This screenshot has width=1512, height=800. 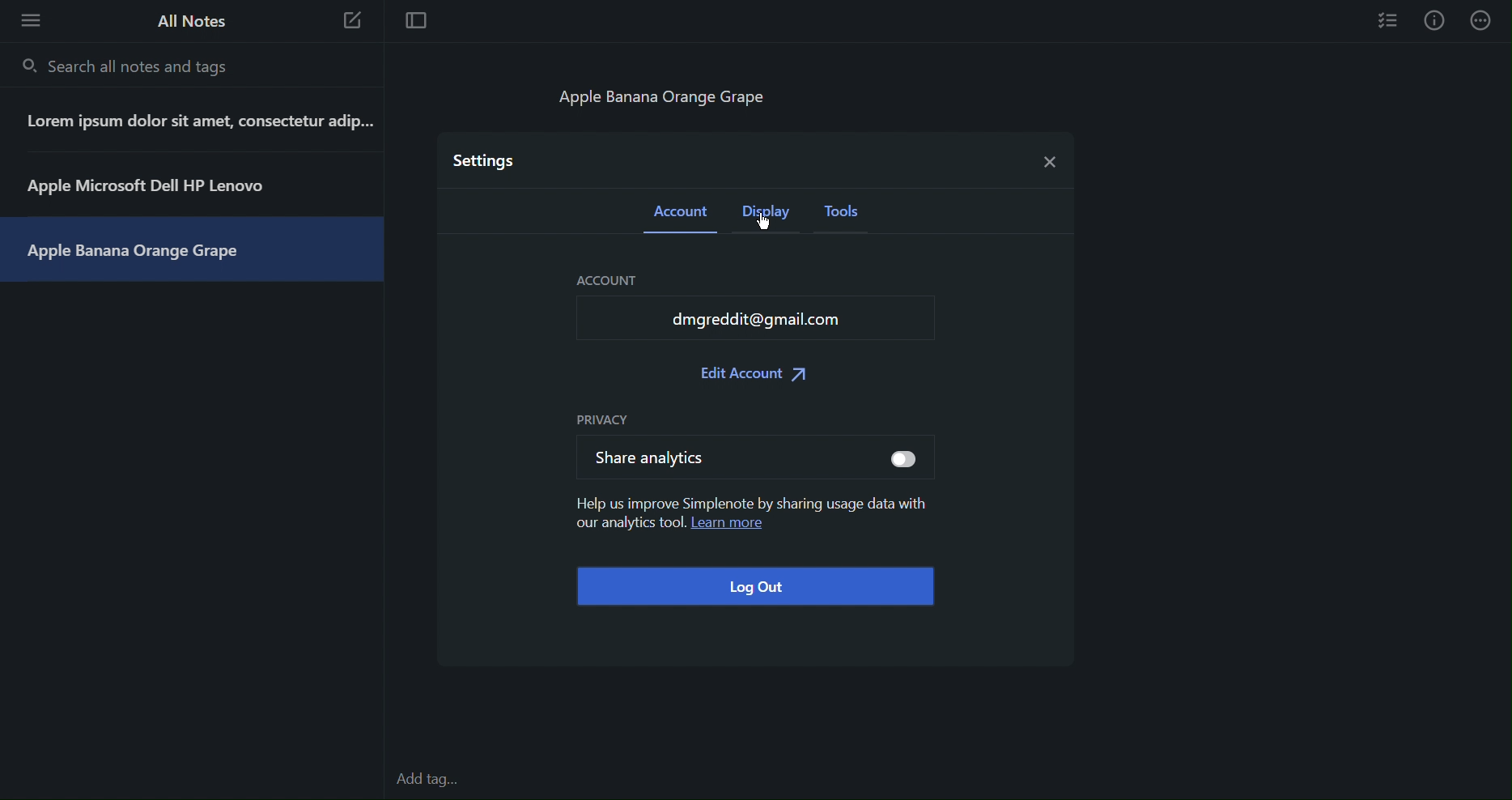 What do you see at coordinates (130, 66) in the screenshot?
I see `Search all notes and tags` at bounding box center [130, 66].